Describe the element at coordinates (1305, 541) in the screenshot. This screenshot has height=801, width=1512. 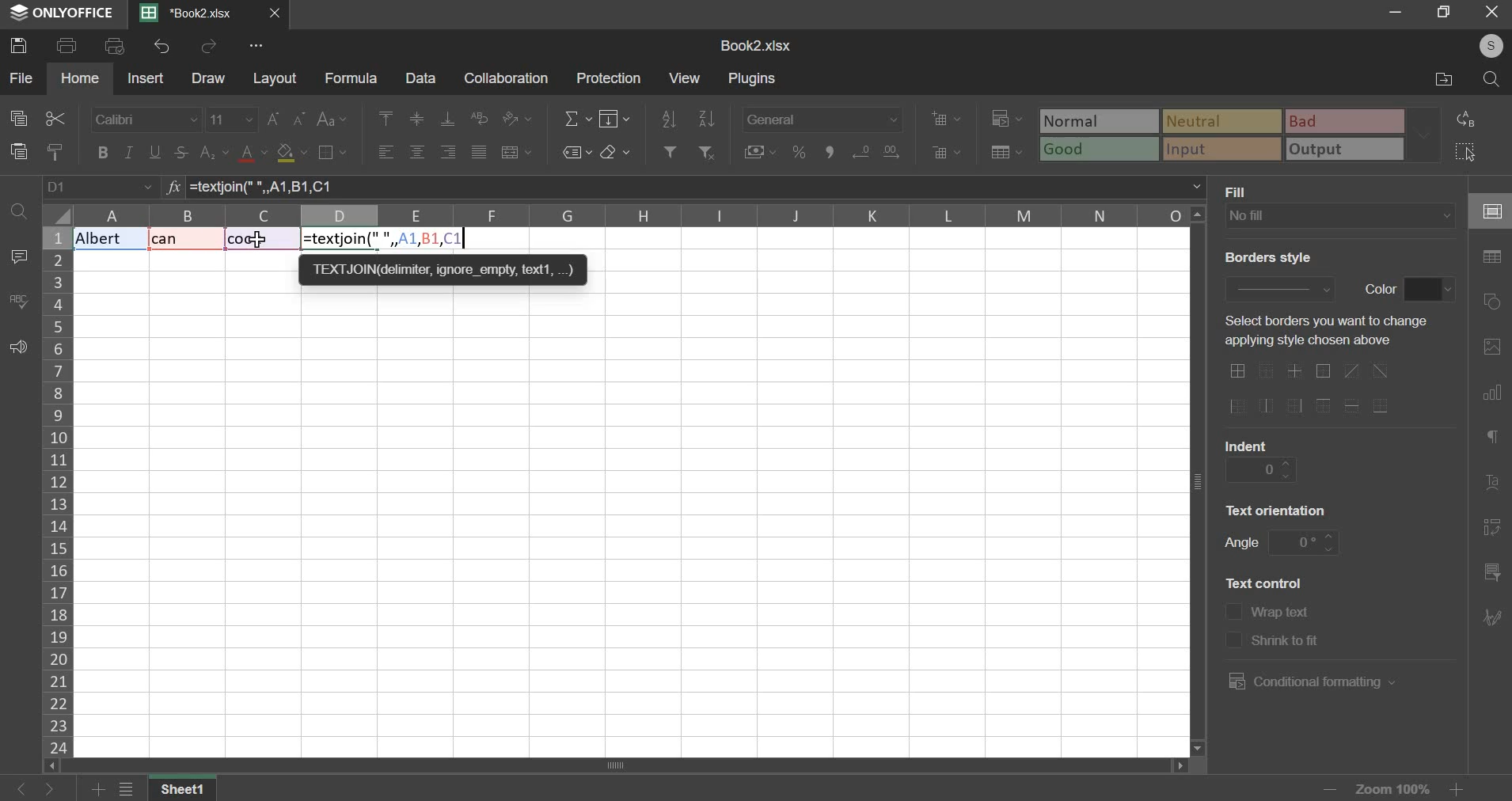
I see `angle` at that location.